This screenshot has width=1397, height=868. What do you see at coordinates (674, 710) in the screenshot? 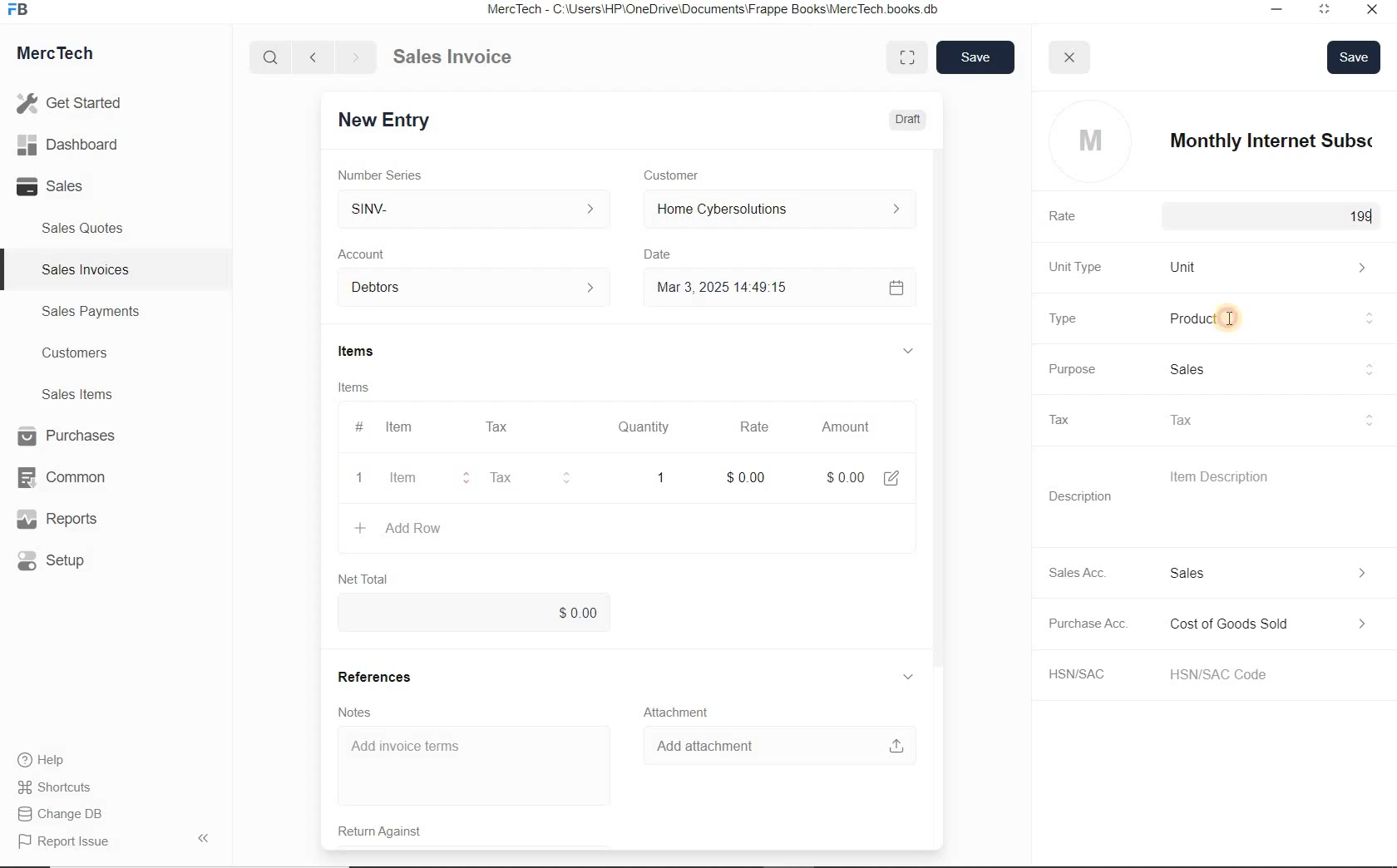
I see `Attachment` at bounding box center [674, 710].